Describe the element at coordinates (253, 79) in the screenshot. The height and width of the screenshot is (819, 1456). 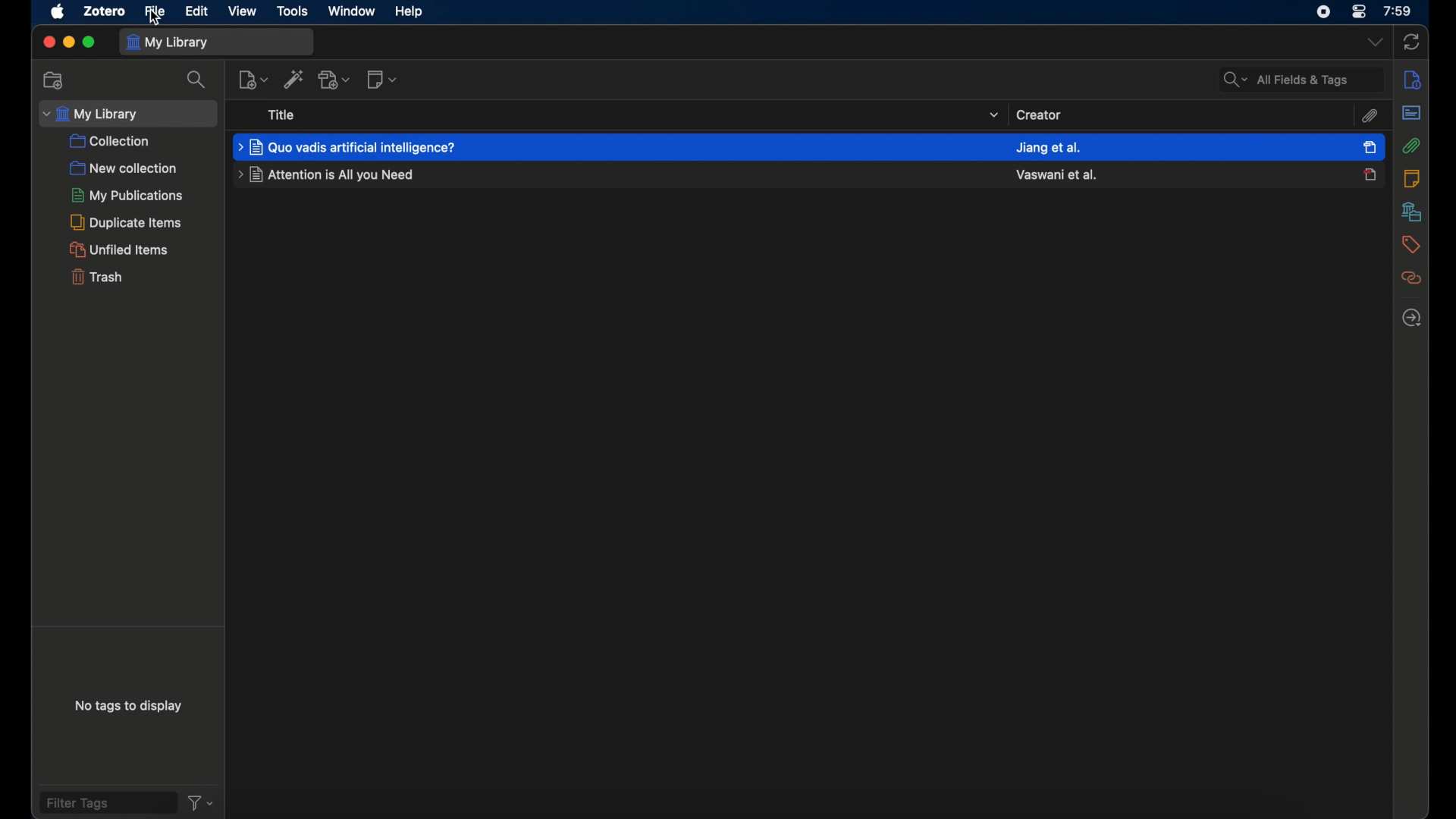
I see `new item` at that location.